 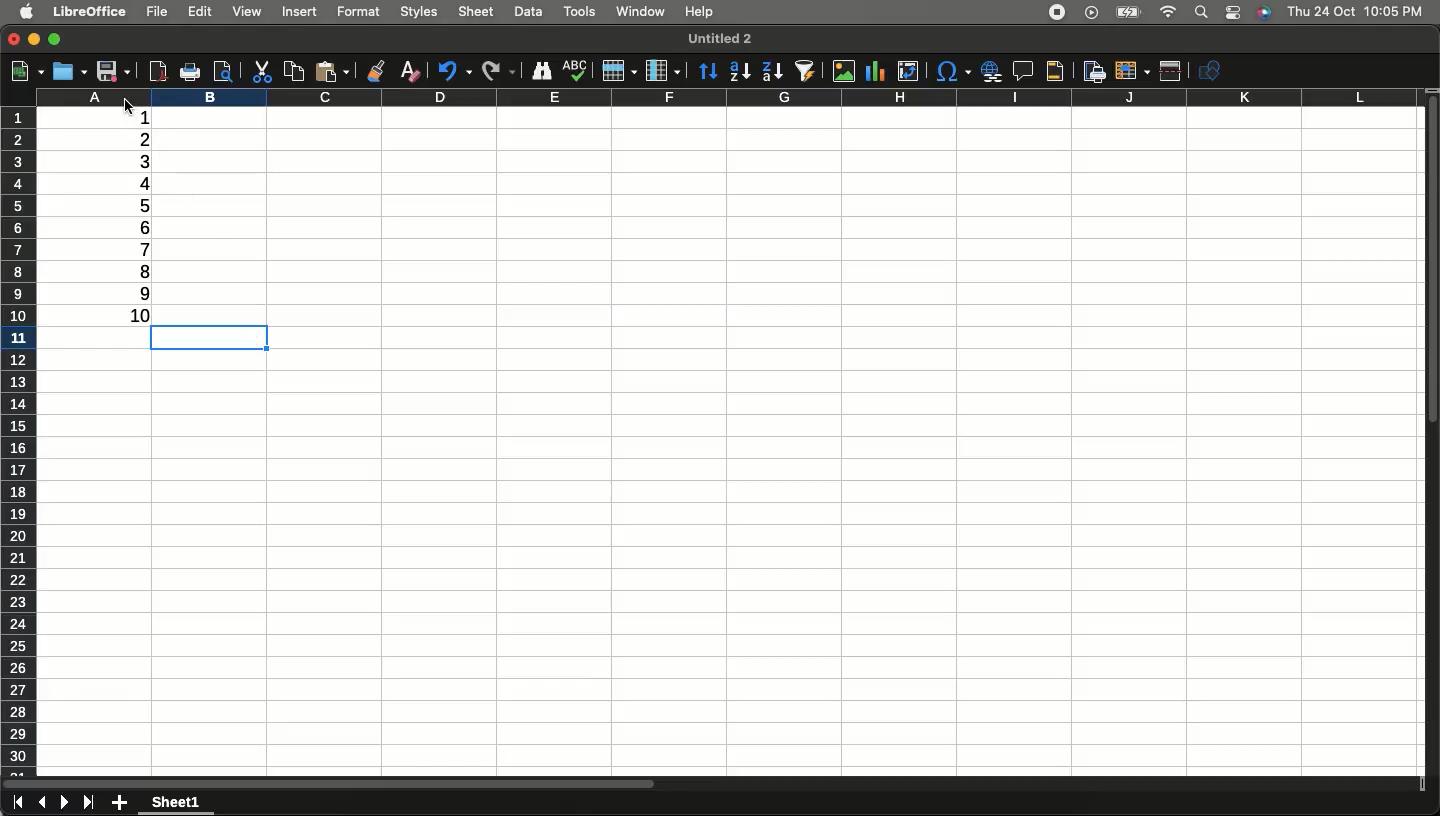 I want to click on Recording, so click(x=1058, y=13).